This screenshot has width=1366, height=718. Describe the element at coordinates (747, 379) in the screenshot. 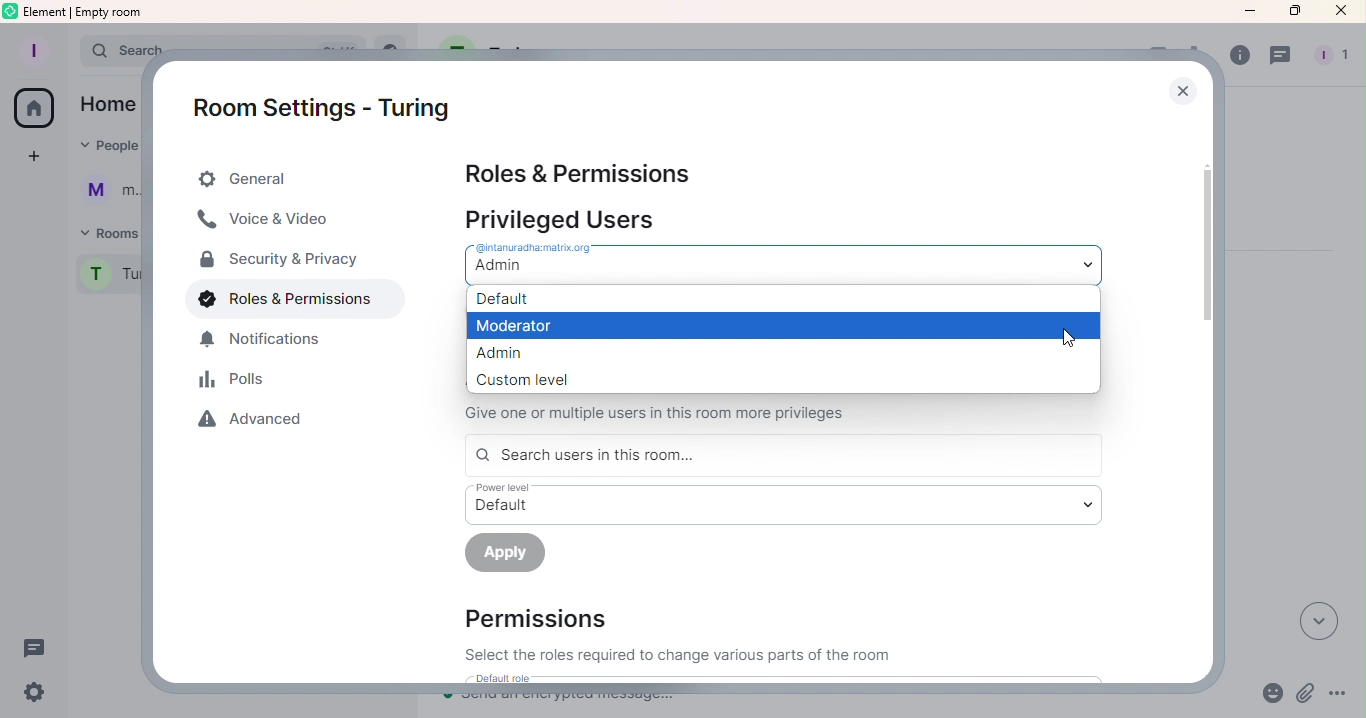

I see `Custom level` at that location.